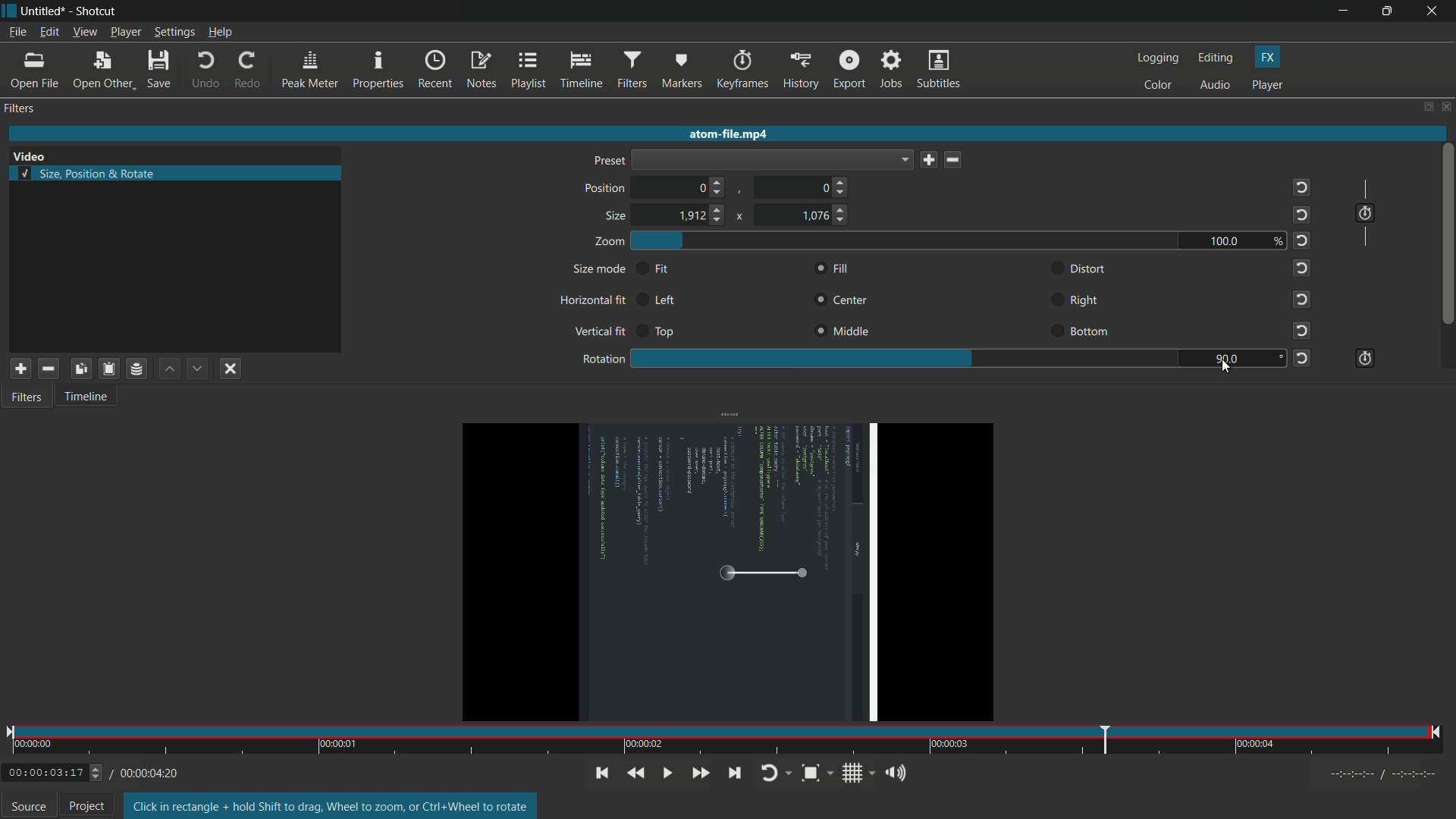  Describe the element at coordinates (709, 187) in the screenshot. I see `0 (choose position)` at that location.